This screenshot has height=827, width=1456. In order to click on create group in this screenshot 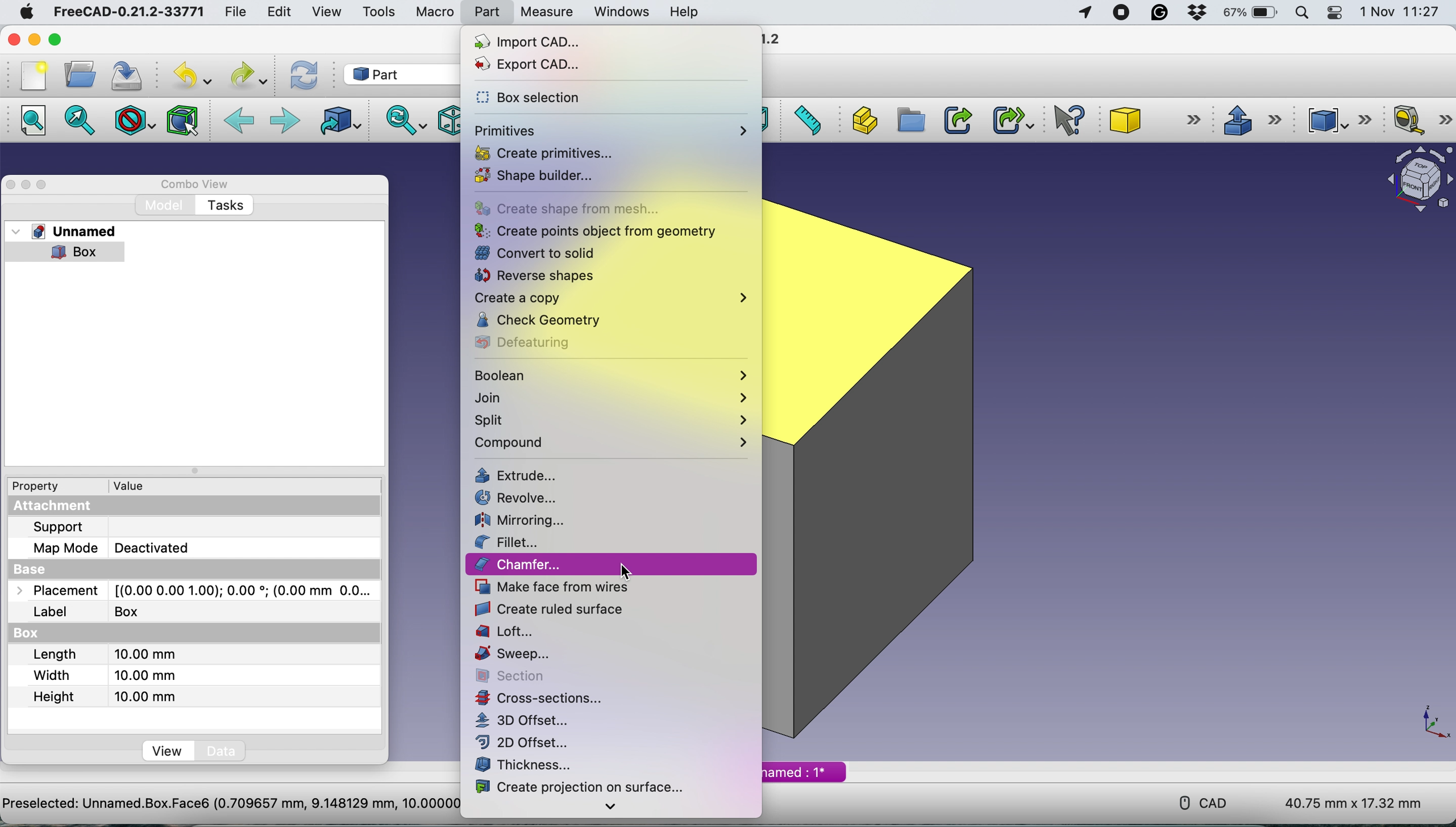, I will do `click(911, 120)`.